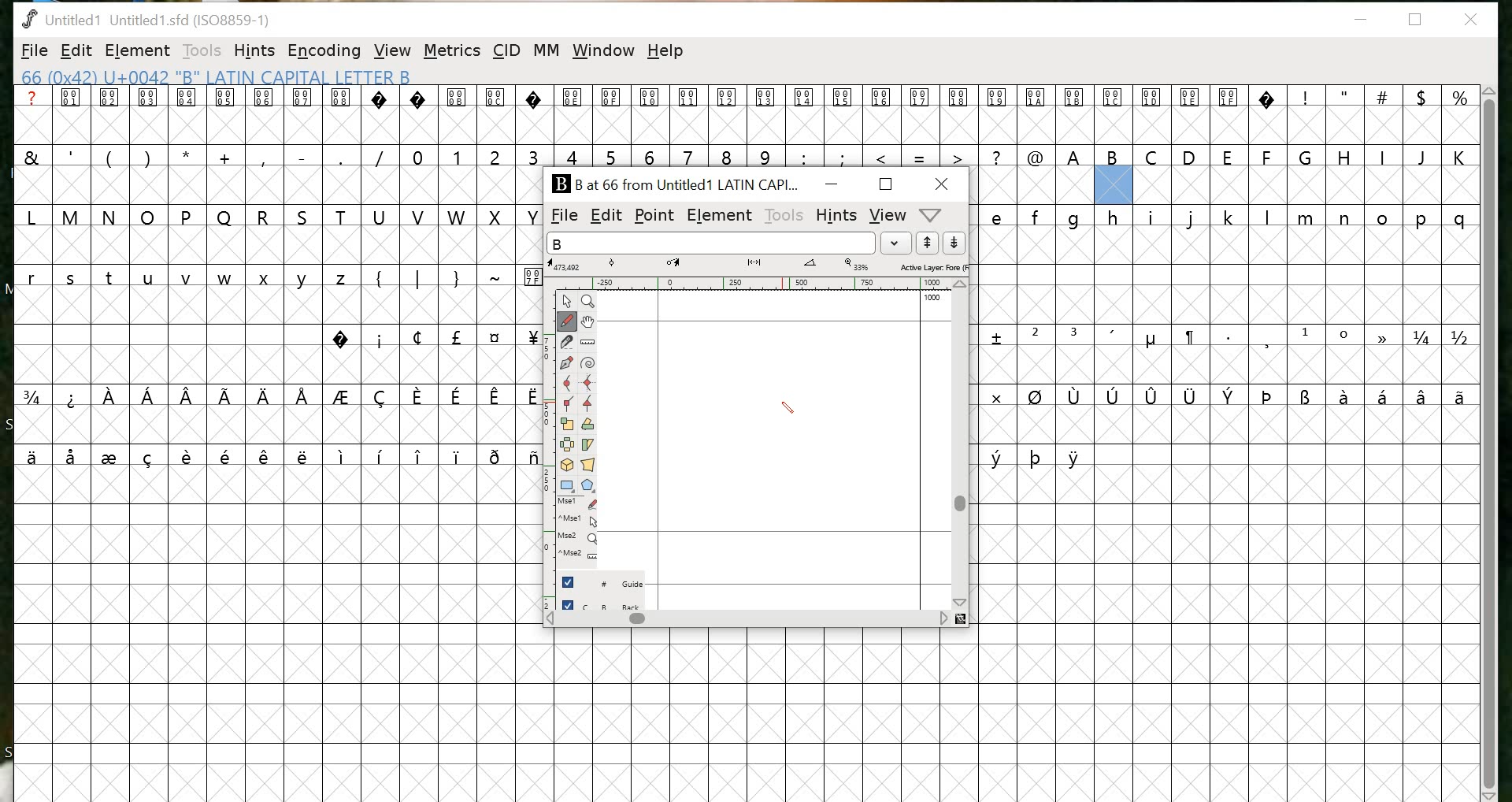  What do you see at coordinates (667, 54) in the screenshot?
I see `help` at bounding box center [667, 54].